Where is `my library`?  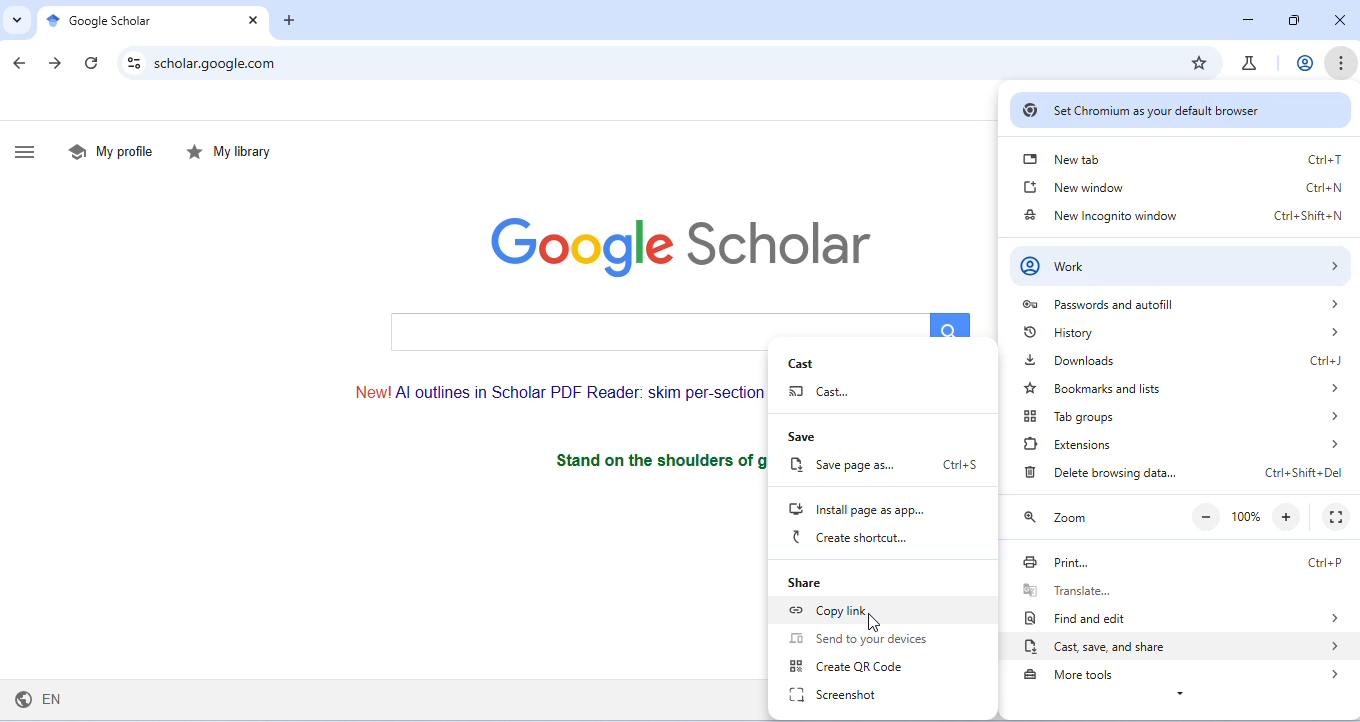
my library is located at coordinates (230, 152).